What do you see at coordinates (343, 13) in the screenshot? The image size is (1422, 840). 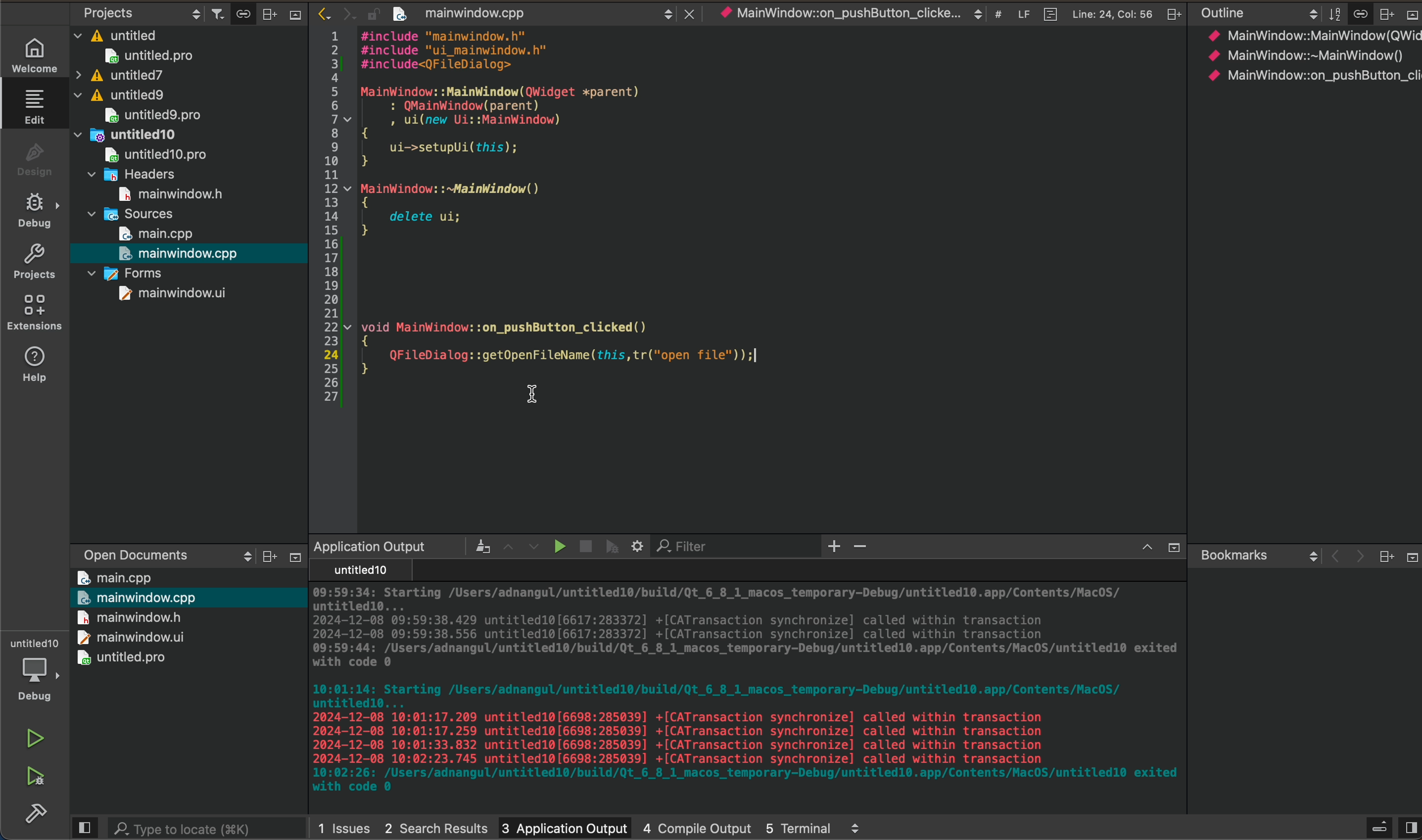 I see `forward` at bounding box center [343, 13].